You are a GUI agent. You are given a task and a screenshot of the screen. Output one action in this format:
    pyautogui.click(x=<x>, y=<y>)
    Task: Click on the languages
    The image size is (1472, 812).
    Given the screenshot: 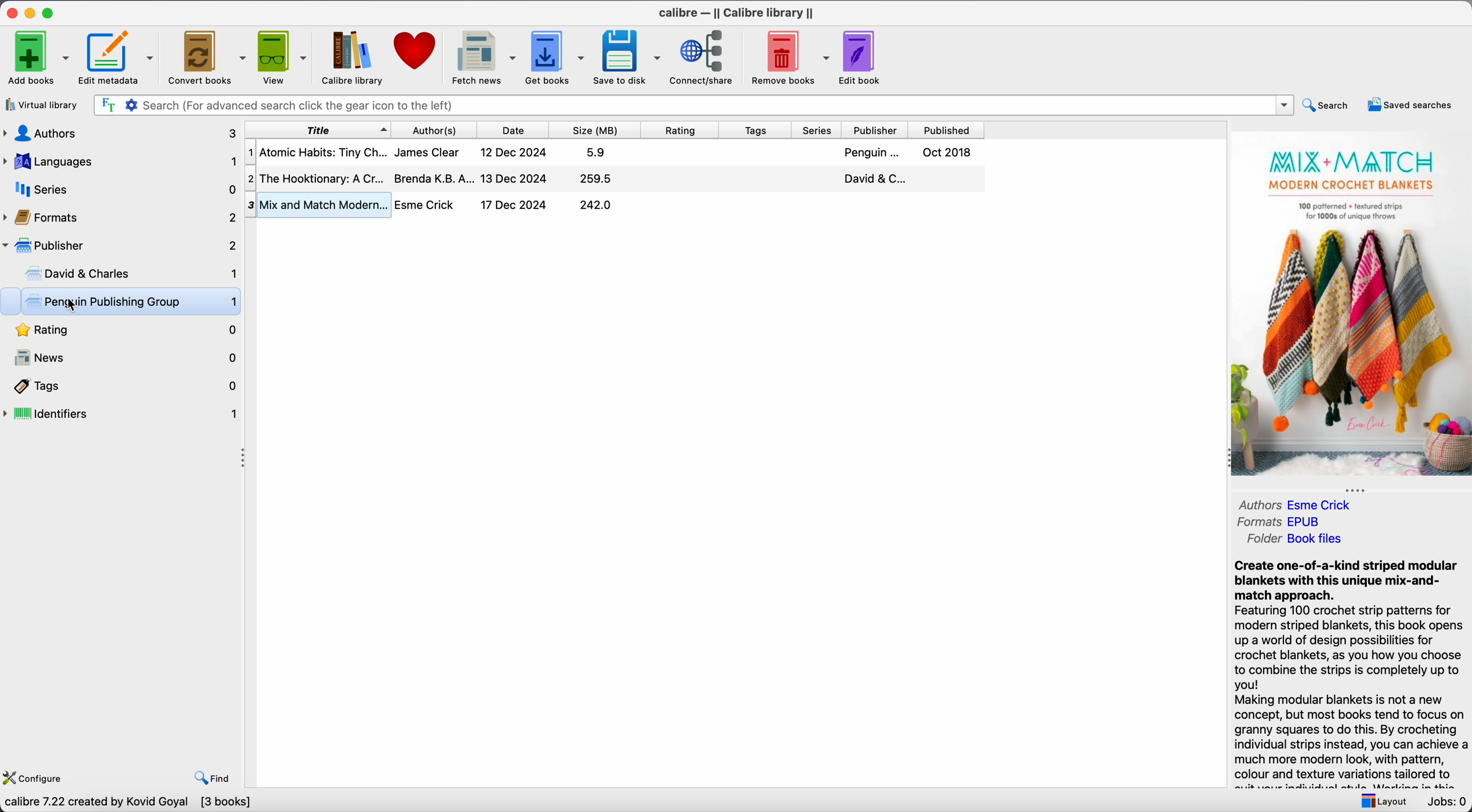 What is the action you would take?
    pyautogui.click(x=119, y=162)
    